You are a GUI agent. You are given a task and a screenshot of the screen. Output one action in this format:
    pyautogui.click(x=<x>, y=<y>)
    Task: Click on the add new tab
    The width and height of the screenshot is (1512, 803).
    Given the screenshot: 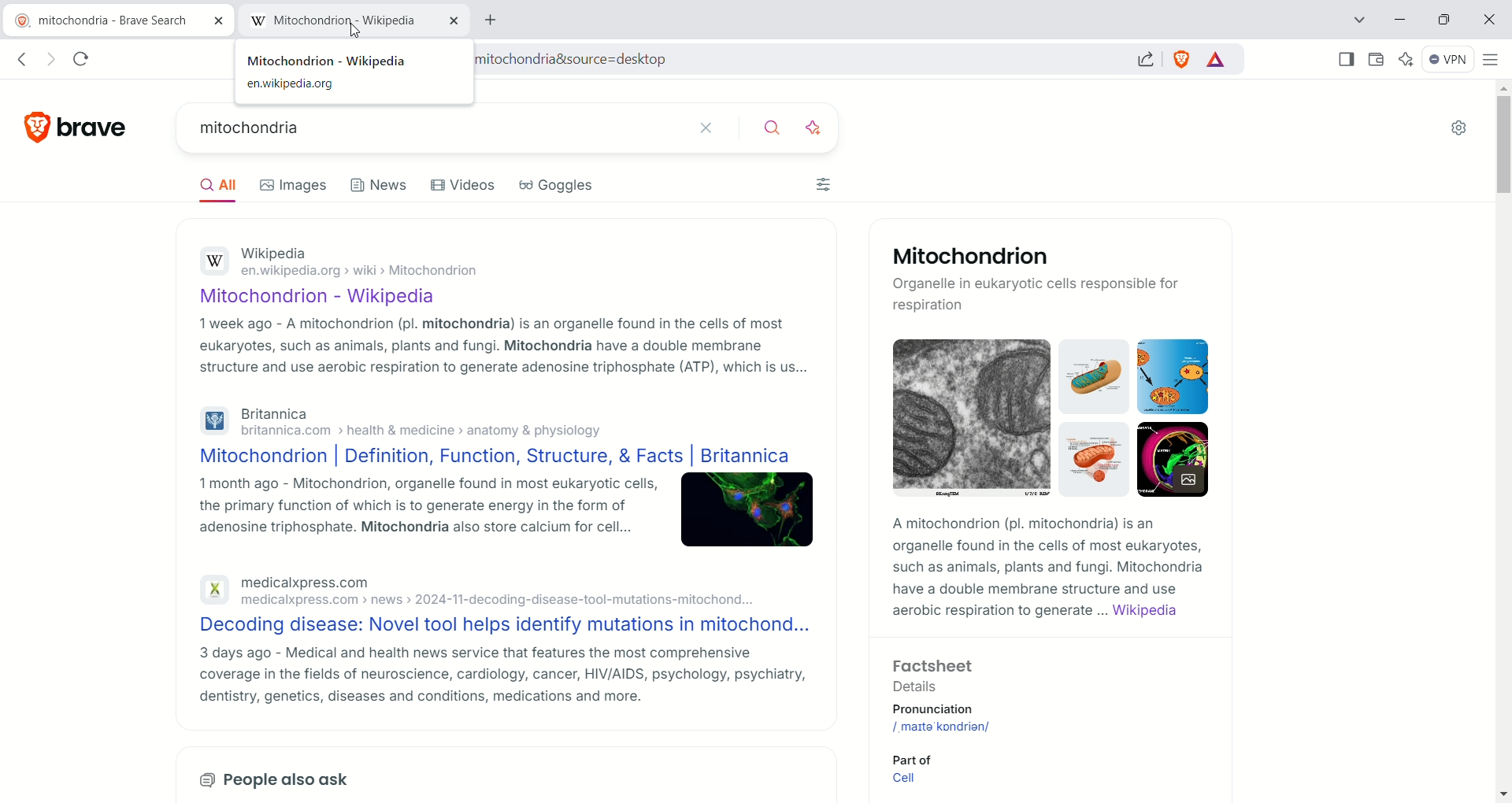 What is the action you would take?
    pyautogui.click(x=493, y=20)
    